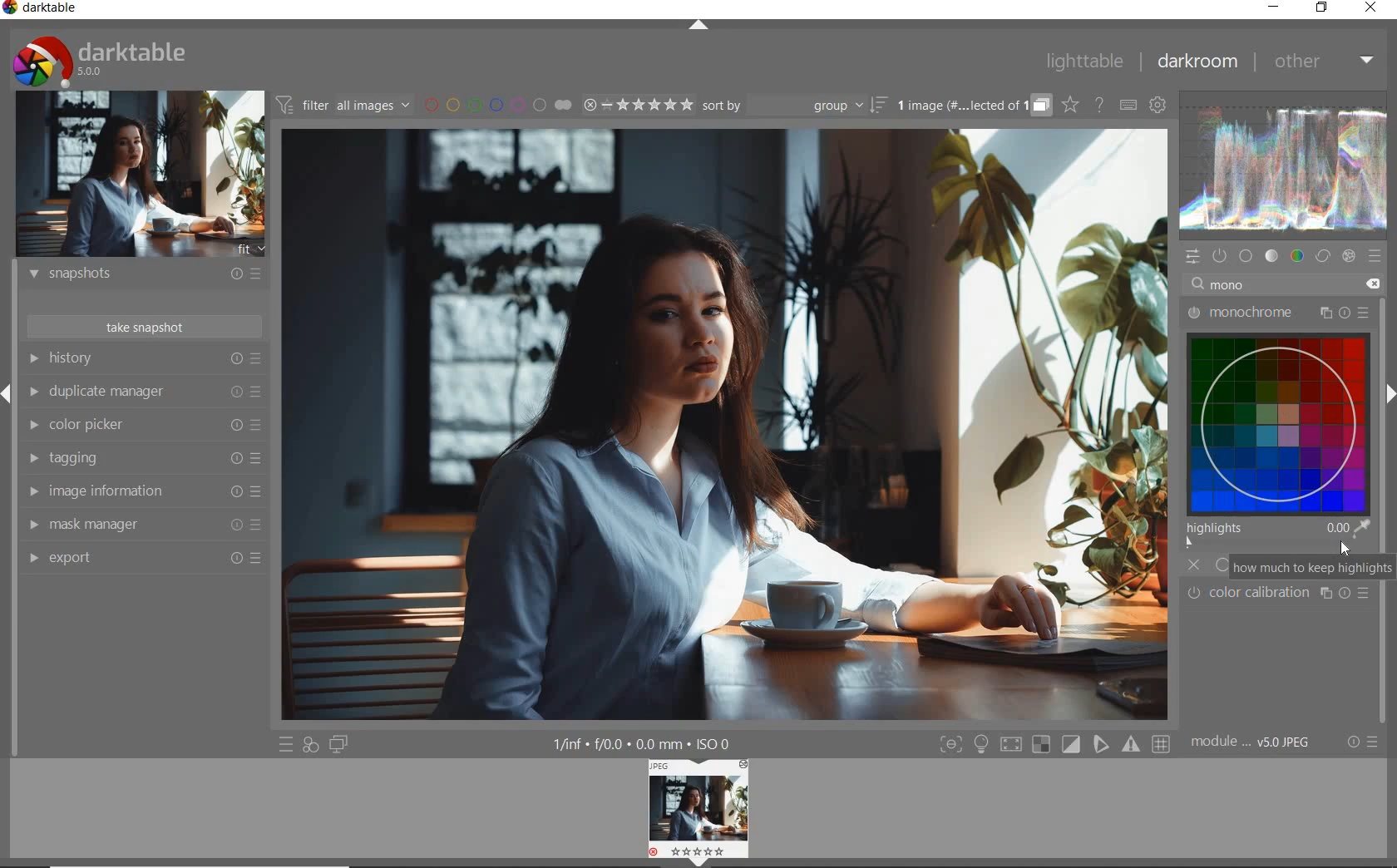 The image size is (1397, 868). I want to click on export, so click(141, 559).